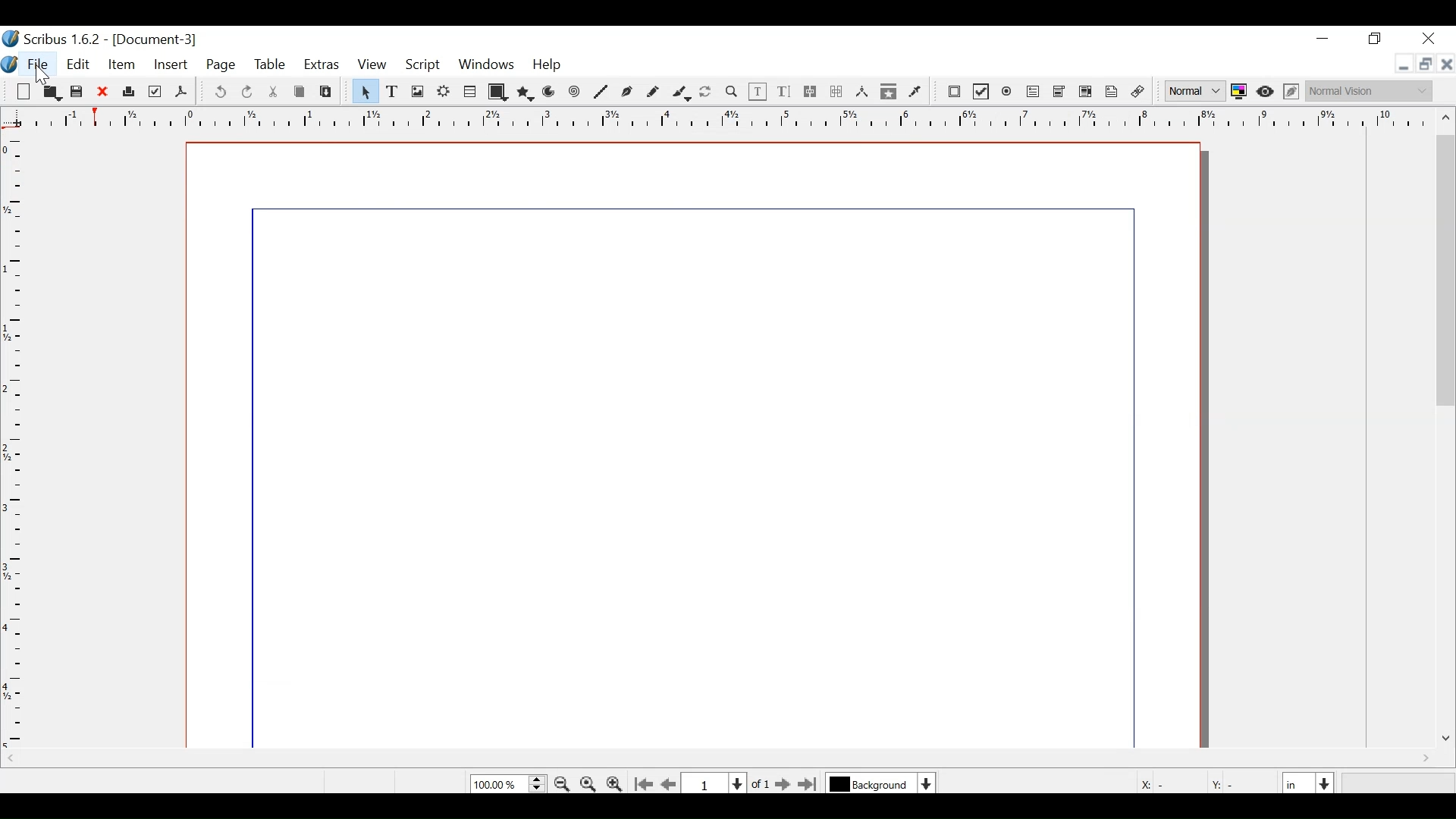 This screenshot has width=1456, height=819. I want to click on Edit, so click(79, 65).